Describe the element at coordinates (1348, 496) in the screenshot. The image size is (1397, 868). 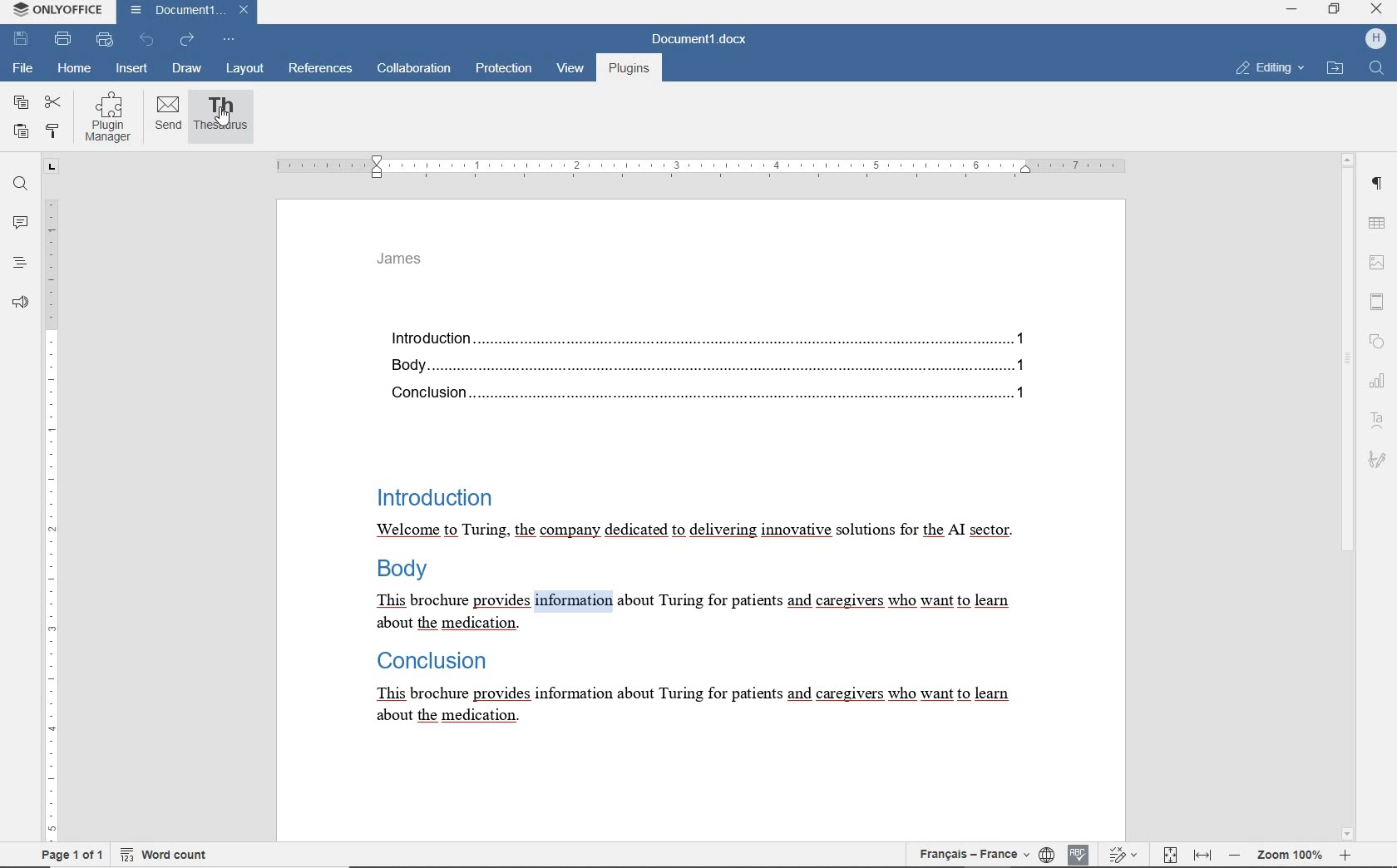
I see `SCROLLBAR` at that location.